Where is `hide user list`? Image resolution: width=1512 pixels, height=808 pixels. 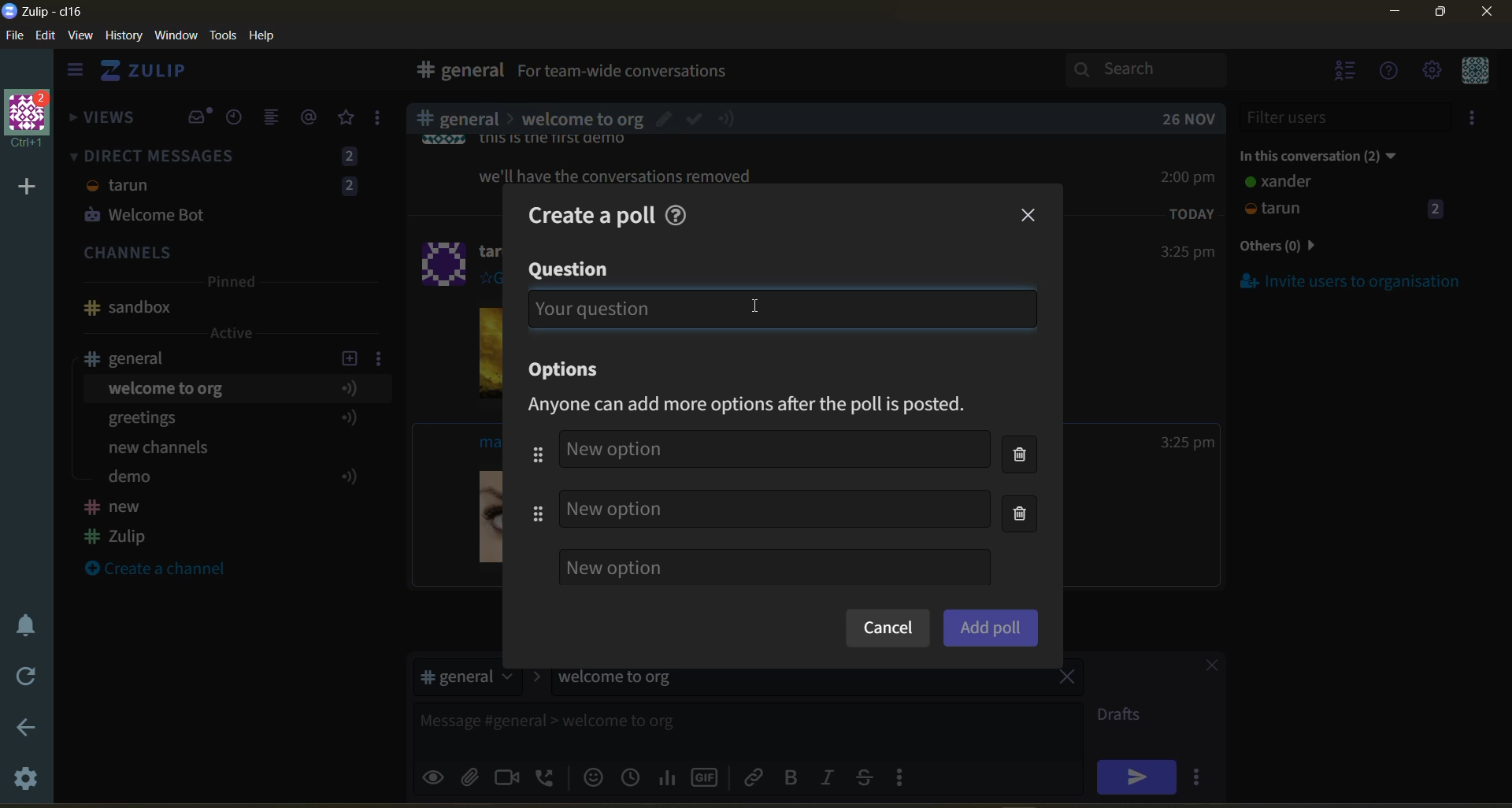 hide user list is located at coordinates (1346, 72).